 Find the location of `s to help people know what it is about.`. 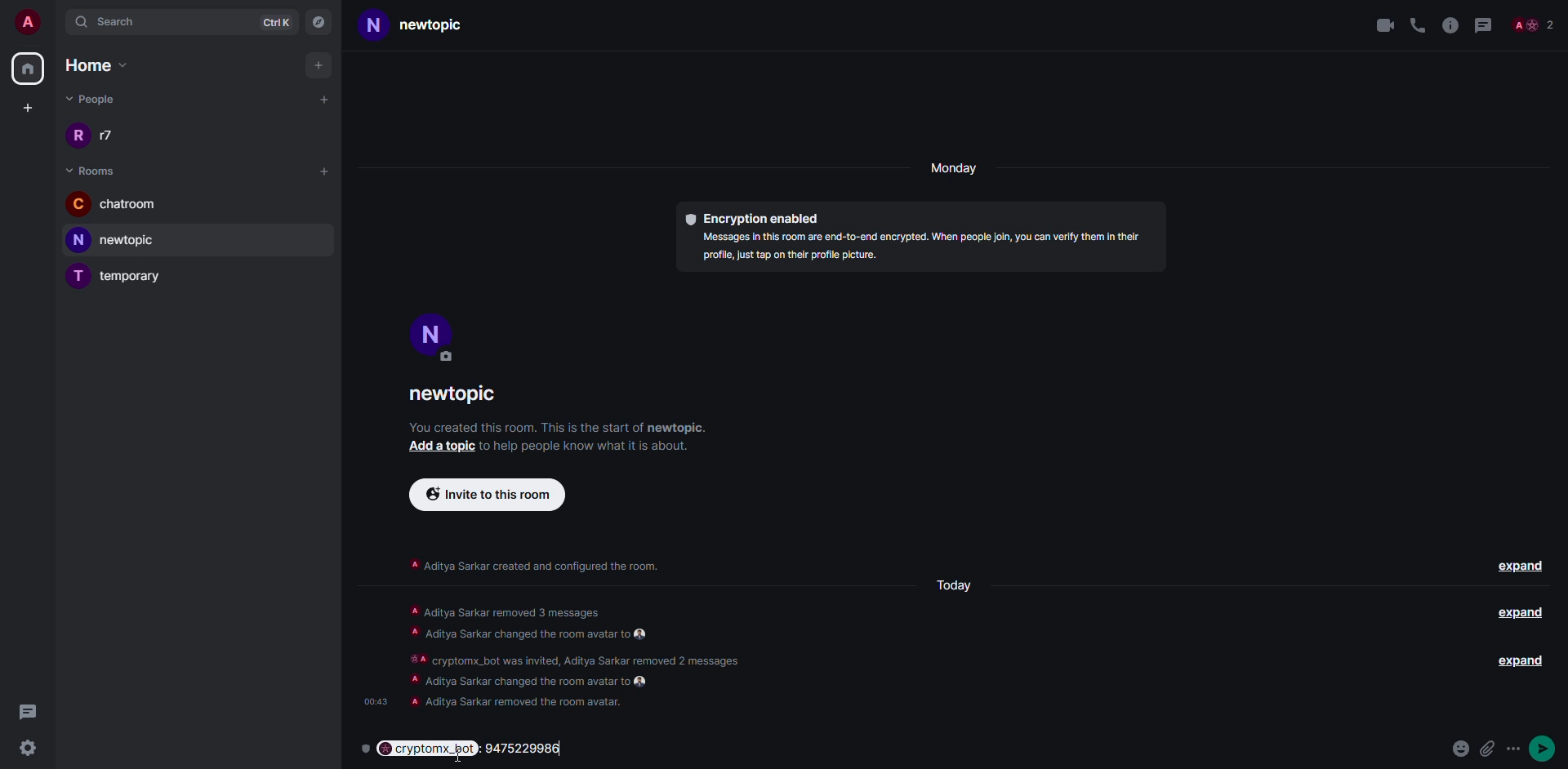

s to help people know what it is about. is located at coordinates (595, 445).